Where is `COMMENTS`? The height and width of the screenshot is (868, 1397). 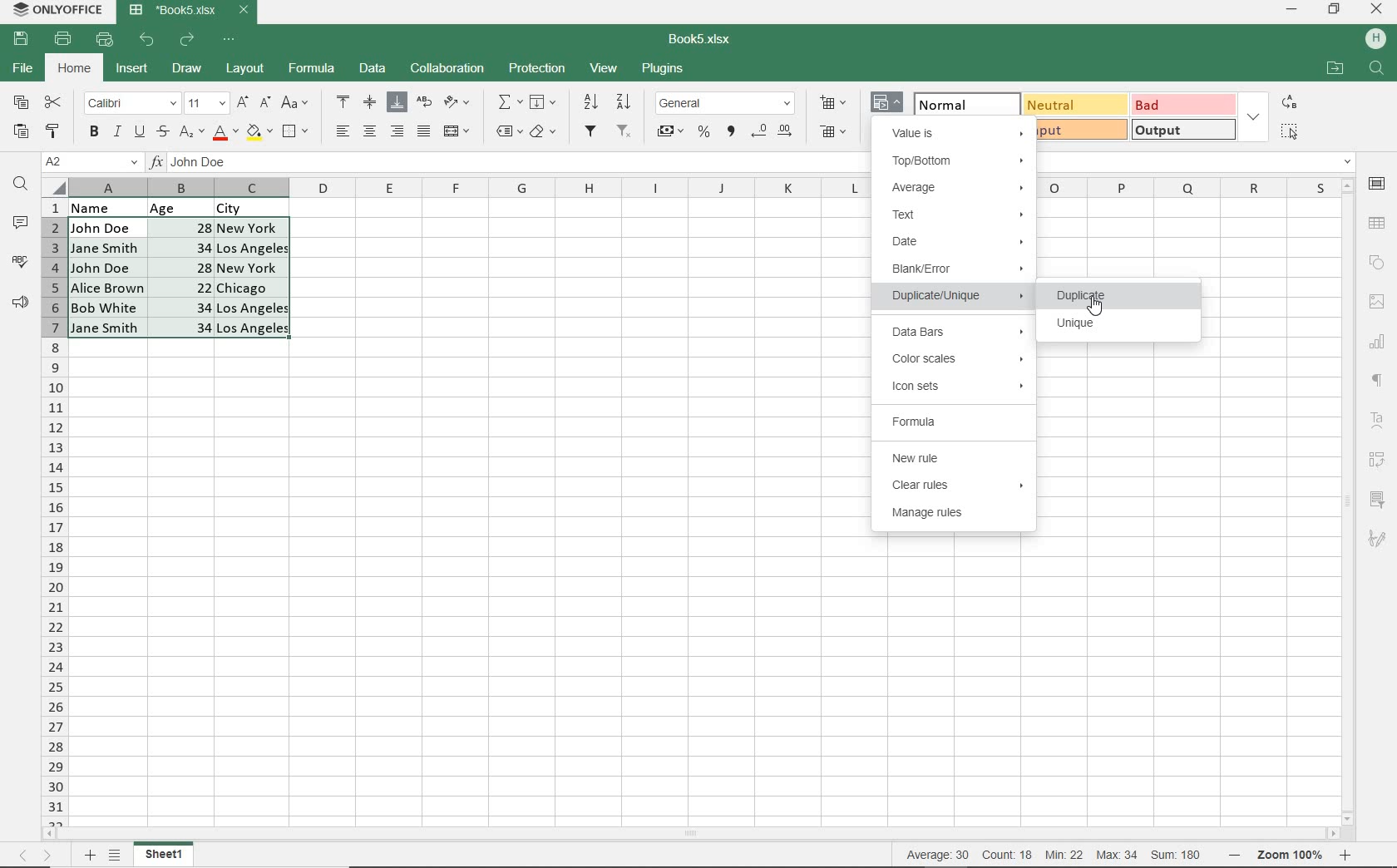
COMMENTS is located at coordinates (23, 223).